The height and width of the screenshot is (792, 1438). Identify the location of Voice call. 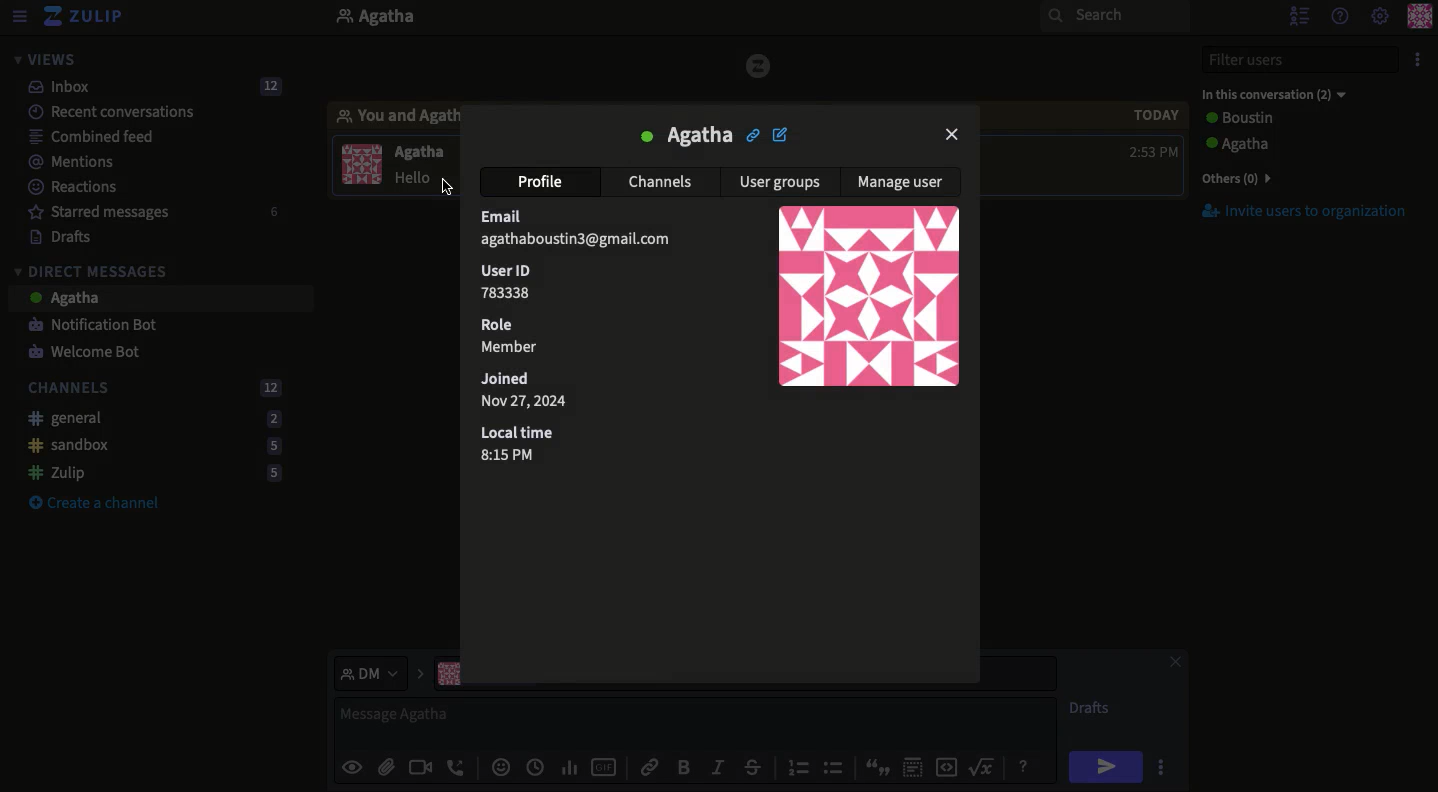
(456, 767).